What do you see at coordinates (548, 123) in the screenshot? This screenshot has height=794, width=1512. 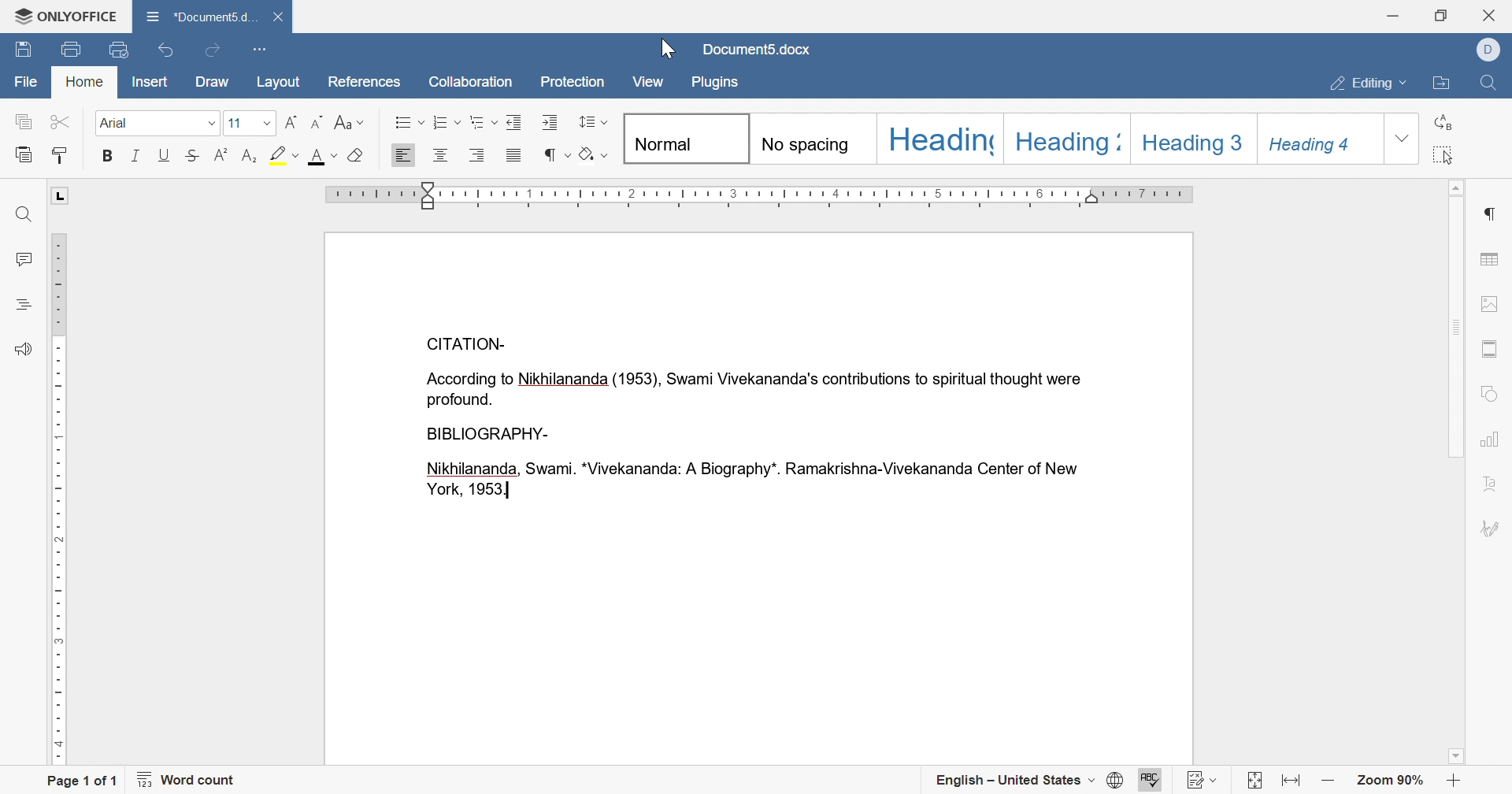 I see `increase indent` at bounding box center [548, 123].